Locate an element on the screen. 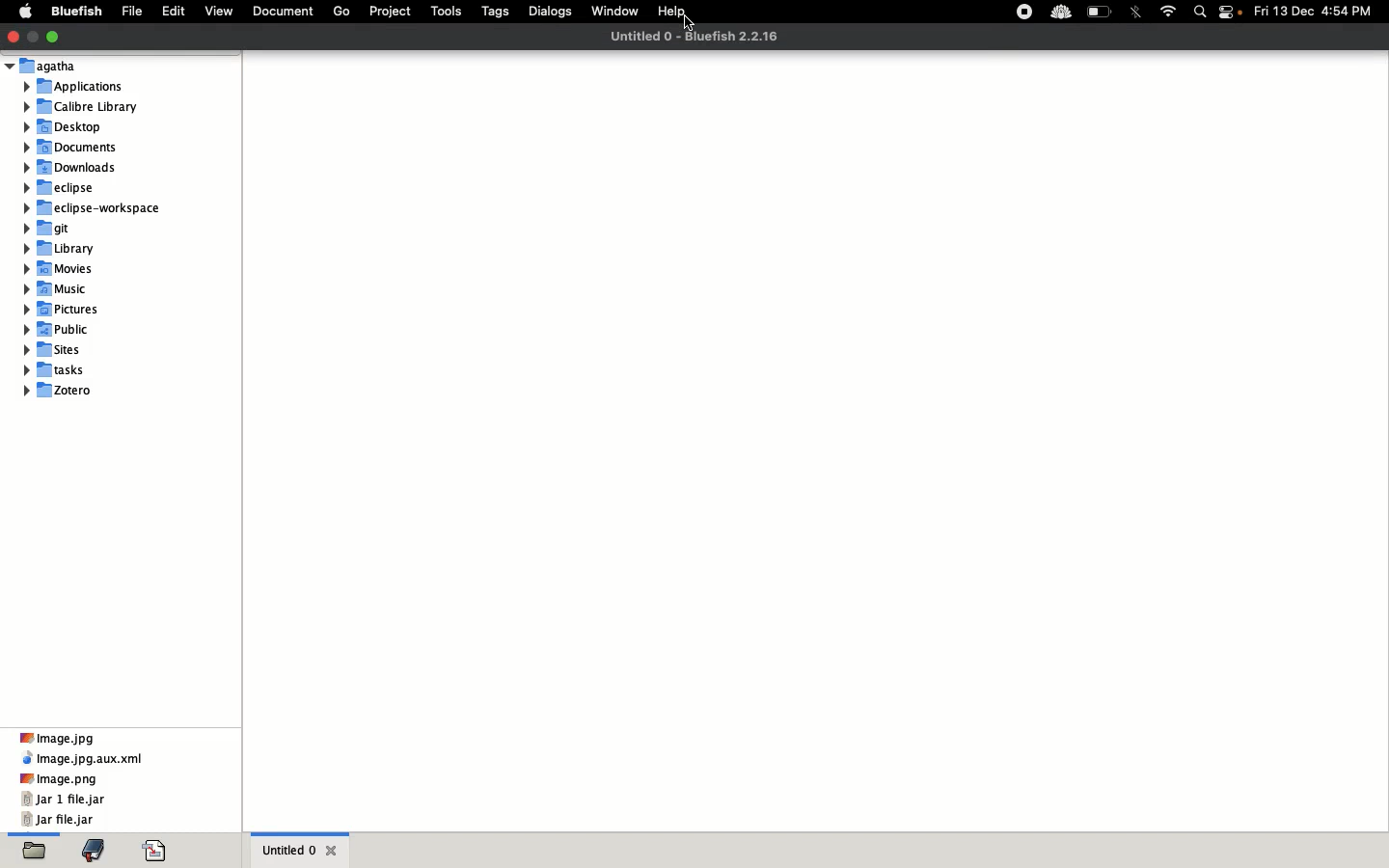 The height and width of the screenshot is (868, 1389). image, xml file is located at coordinates (85, 760).